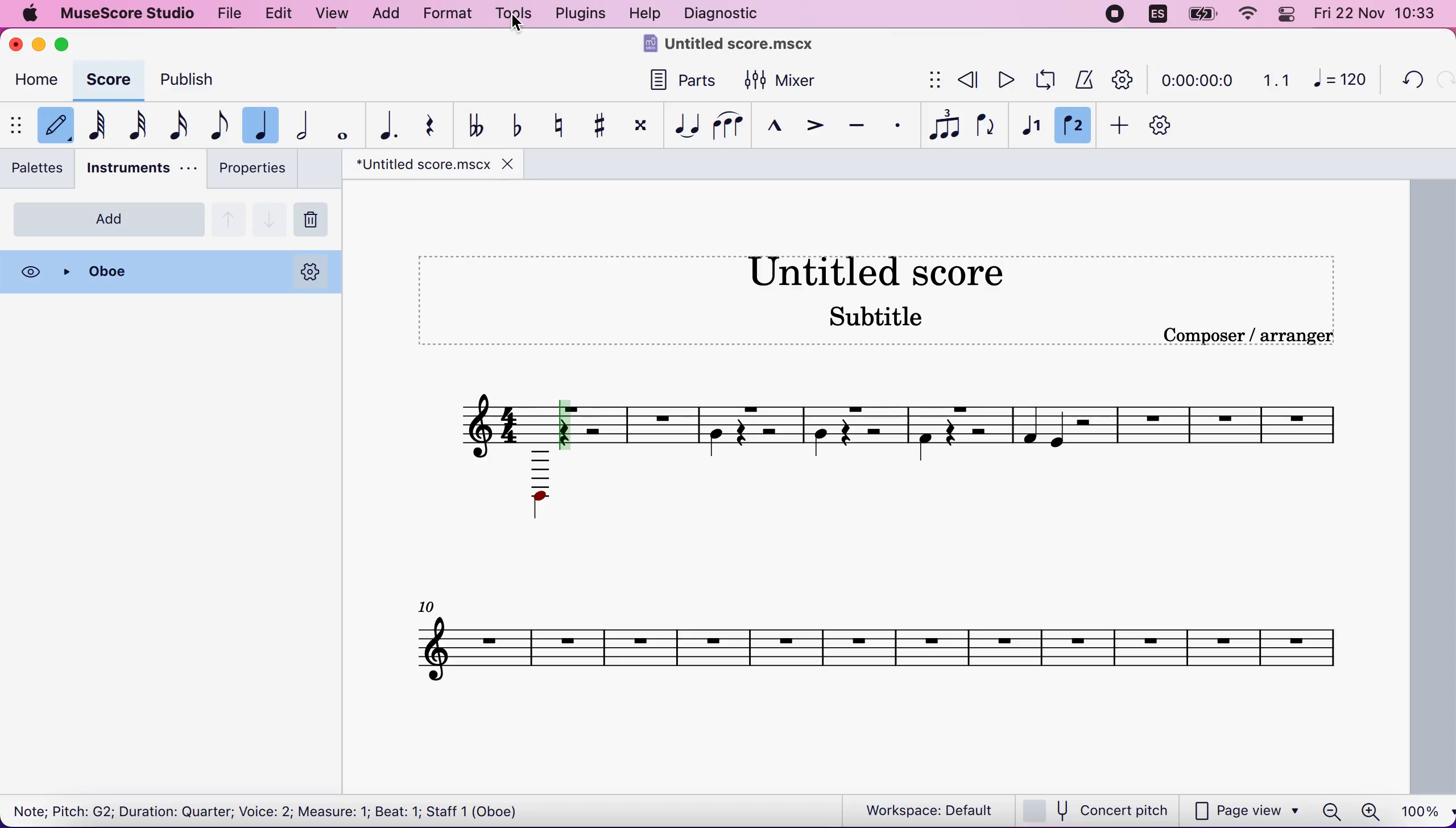 The width and height of the screenshot is (1456, 828). I want to click on 32nd note, so click(144, 126).